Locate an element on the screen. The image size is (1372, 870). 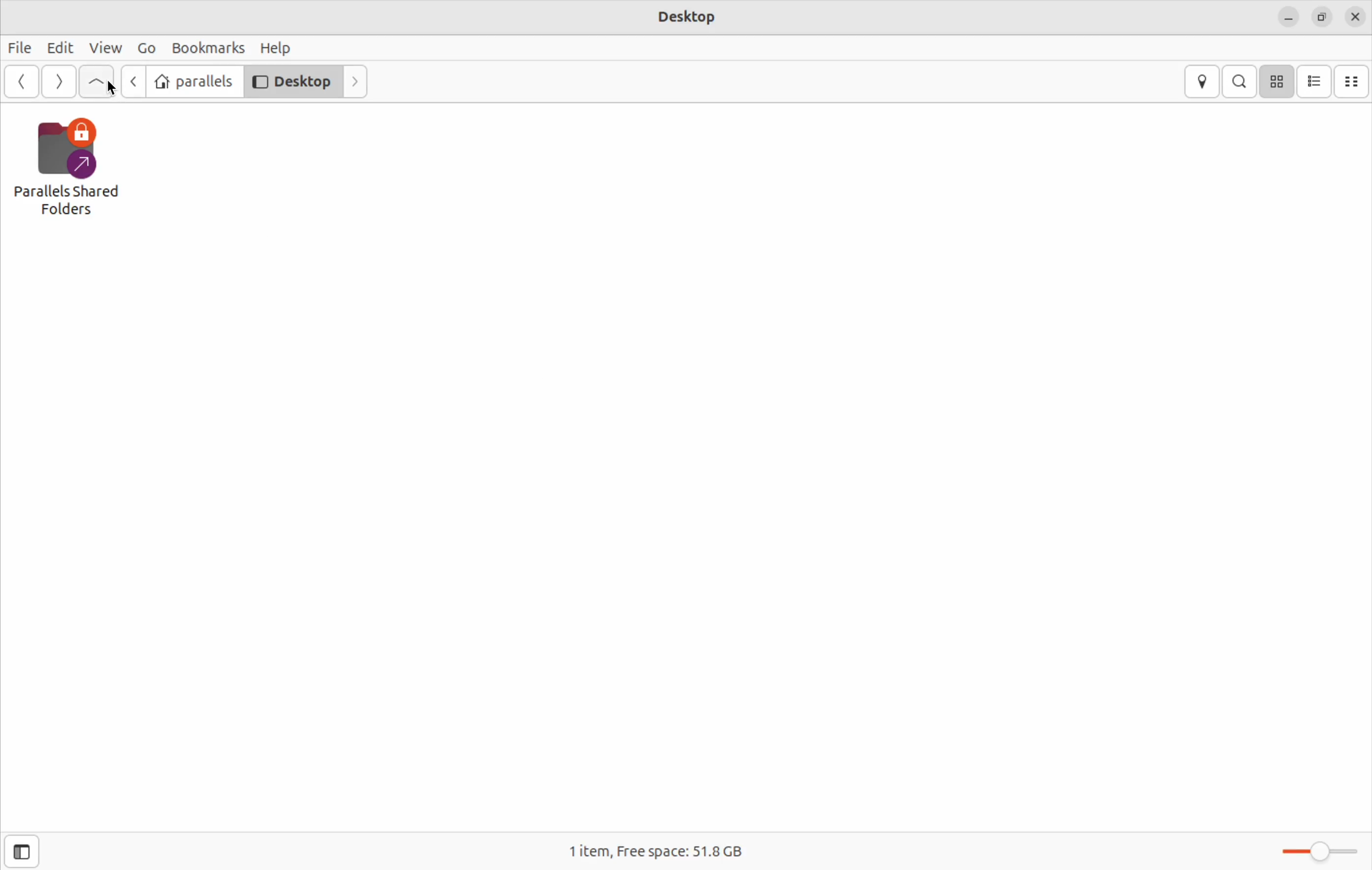
compact view is located at coordinates (1354, 80).